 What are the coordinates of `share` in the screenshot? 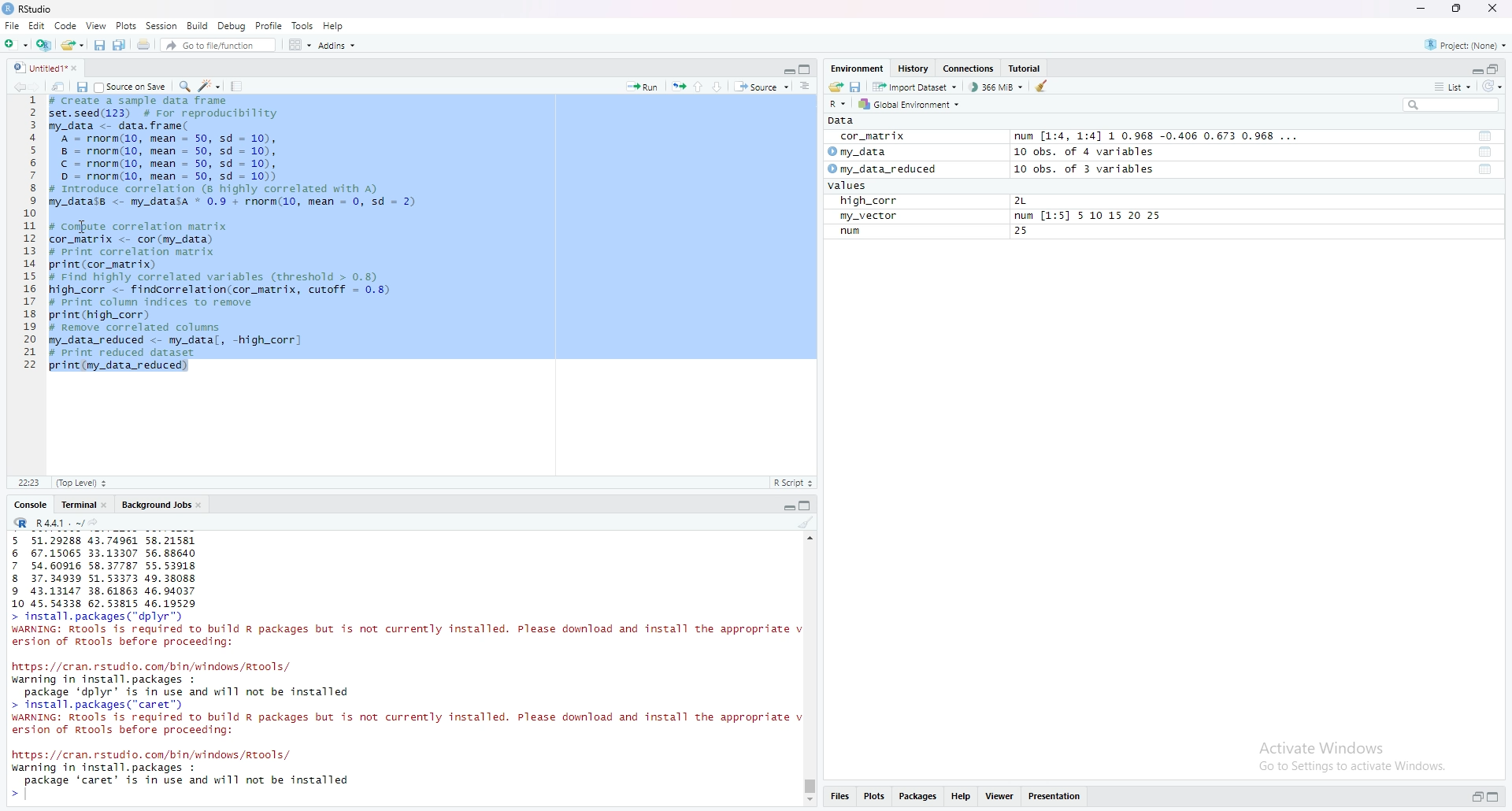 It's located at (836, 87).